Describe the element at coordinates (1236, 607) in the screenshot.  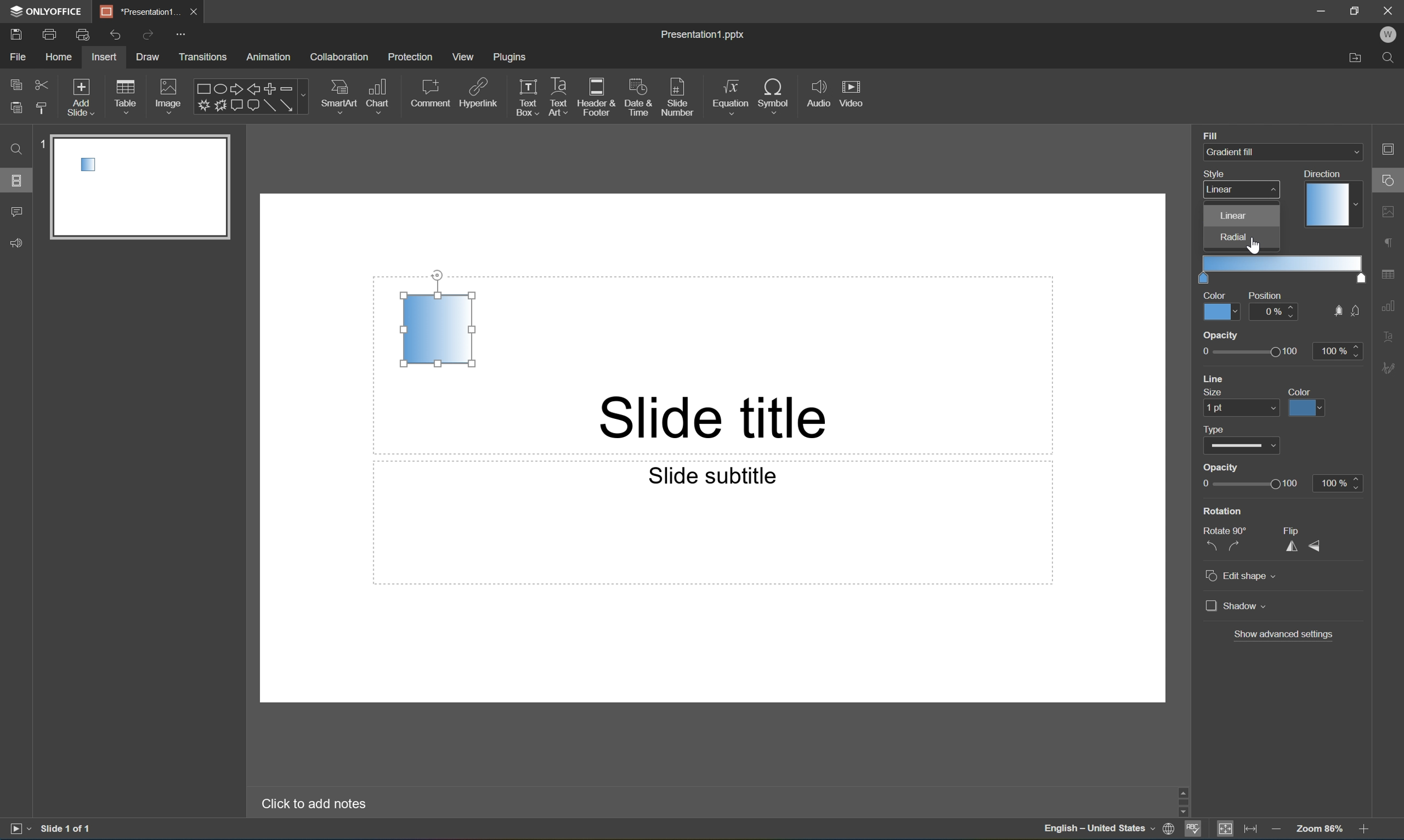
I see `Shadow` at that location.